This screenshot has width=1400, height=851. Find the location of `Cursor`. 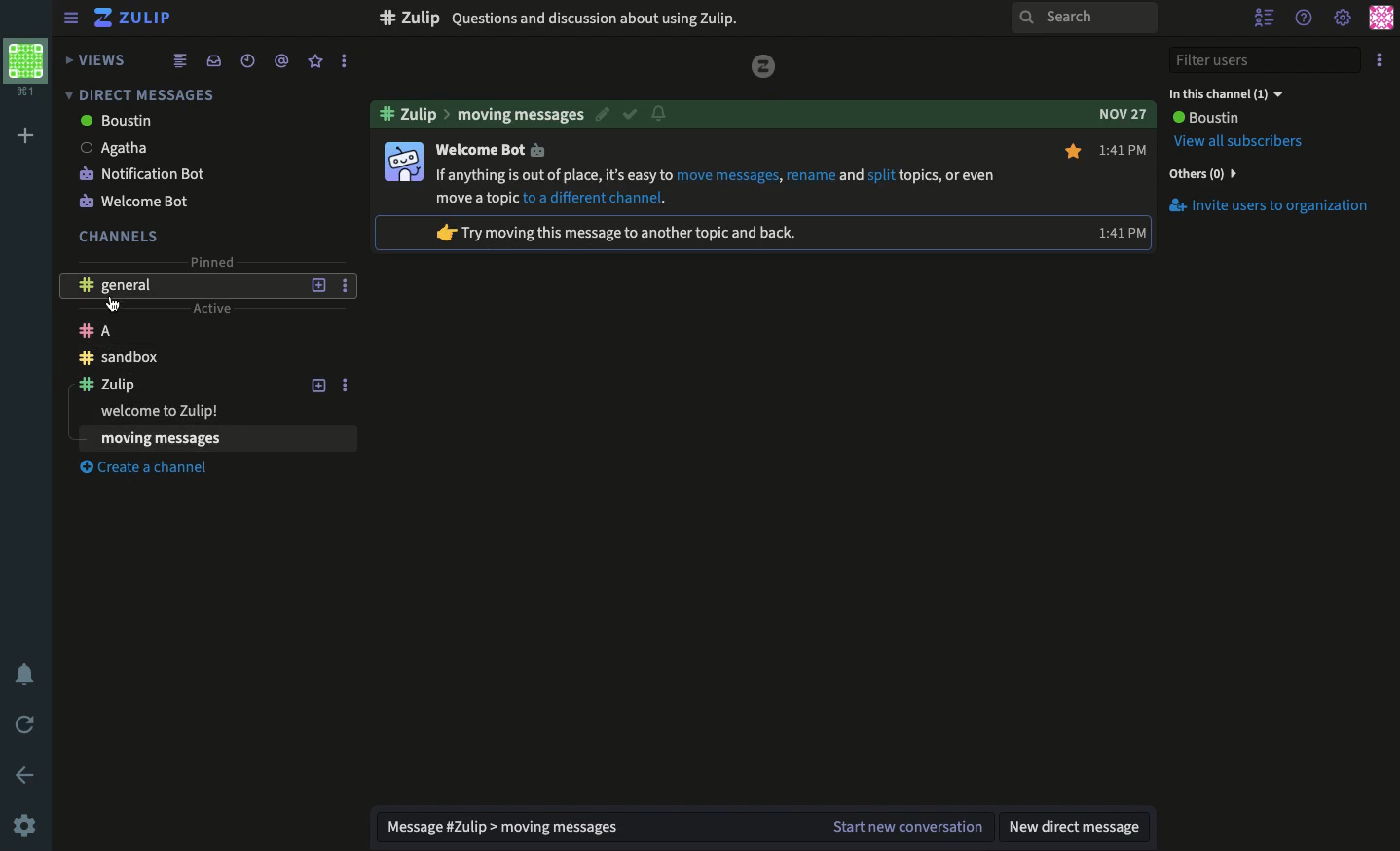

Cursor is located at coordinates (113, 304).